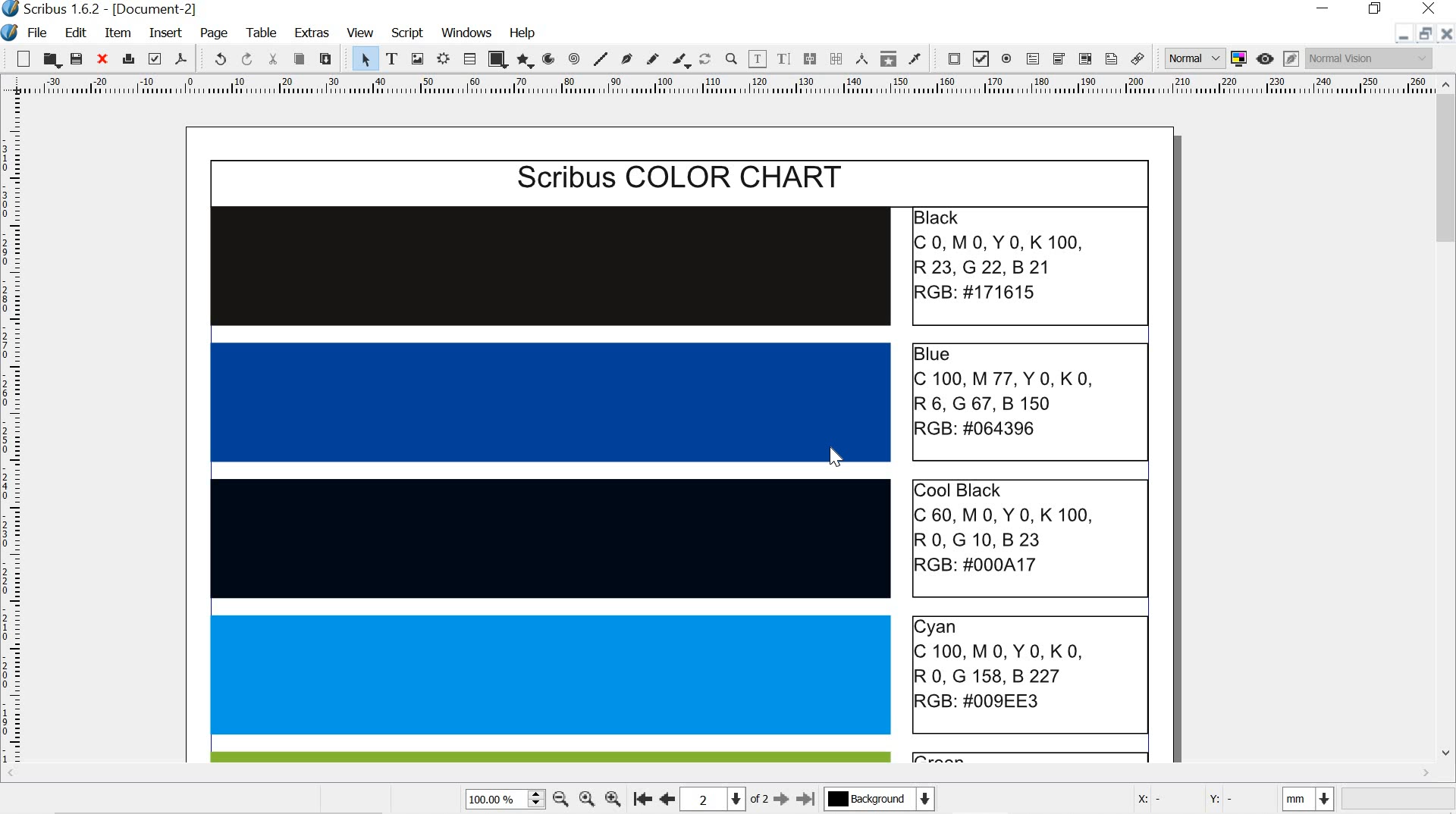 The image size is (1456, 814). Describe the element at coordinates (551, 402) in the screenshot. I see `Blue` at that location.